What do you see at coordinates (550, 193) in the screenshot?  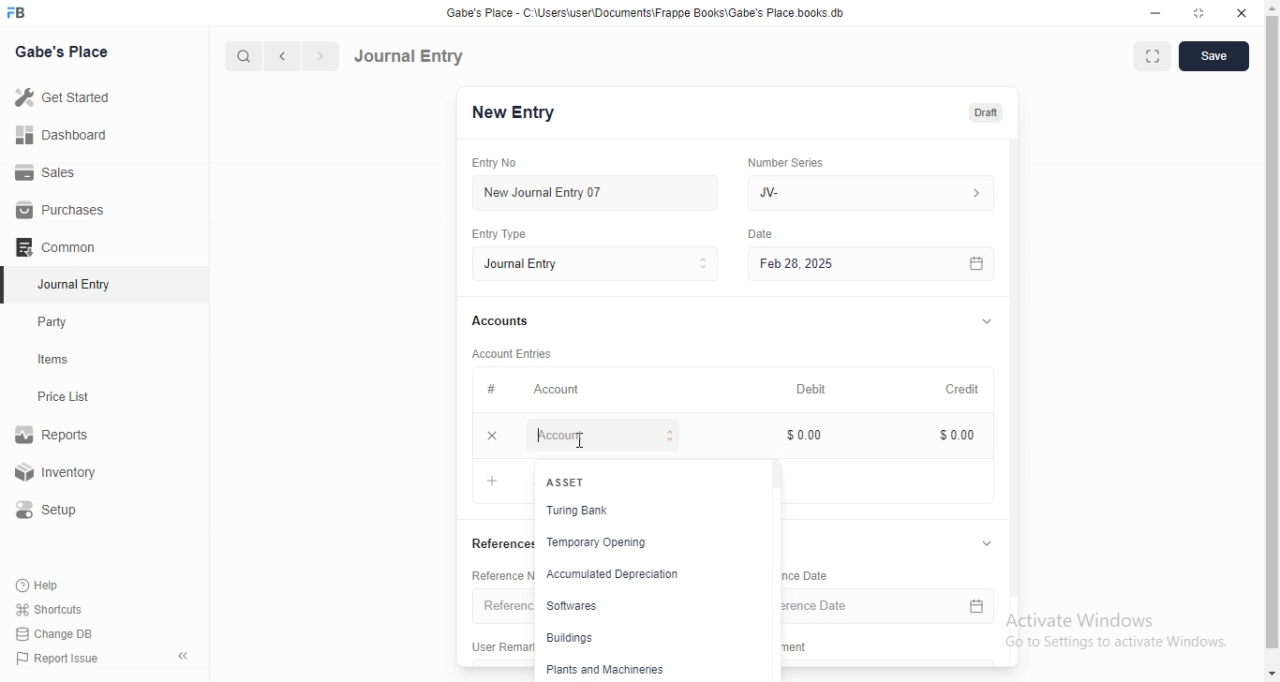 I see `New Journal Entry 07` at bounding box center [550, 193].